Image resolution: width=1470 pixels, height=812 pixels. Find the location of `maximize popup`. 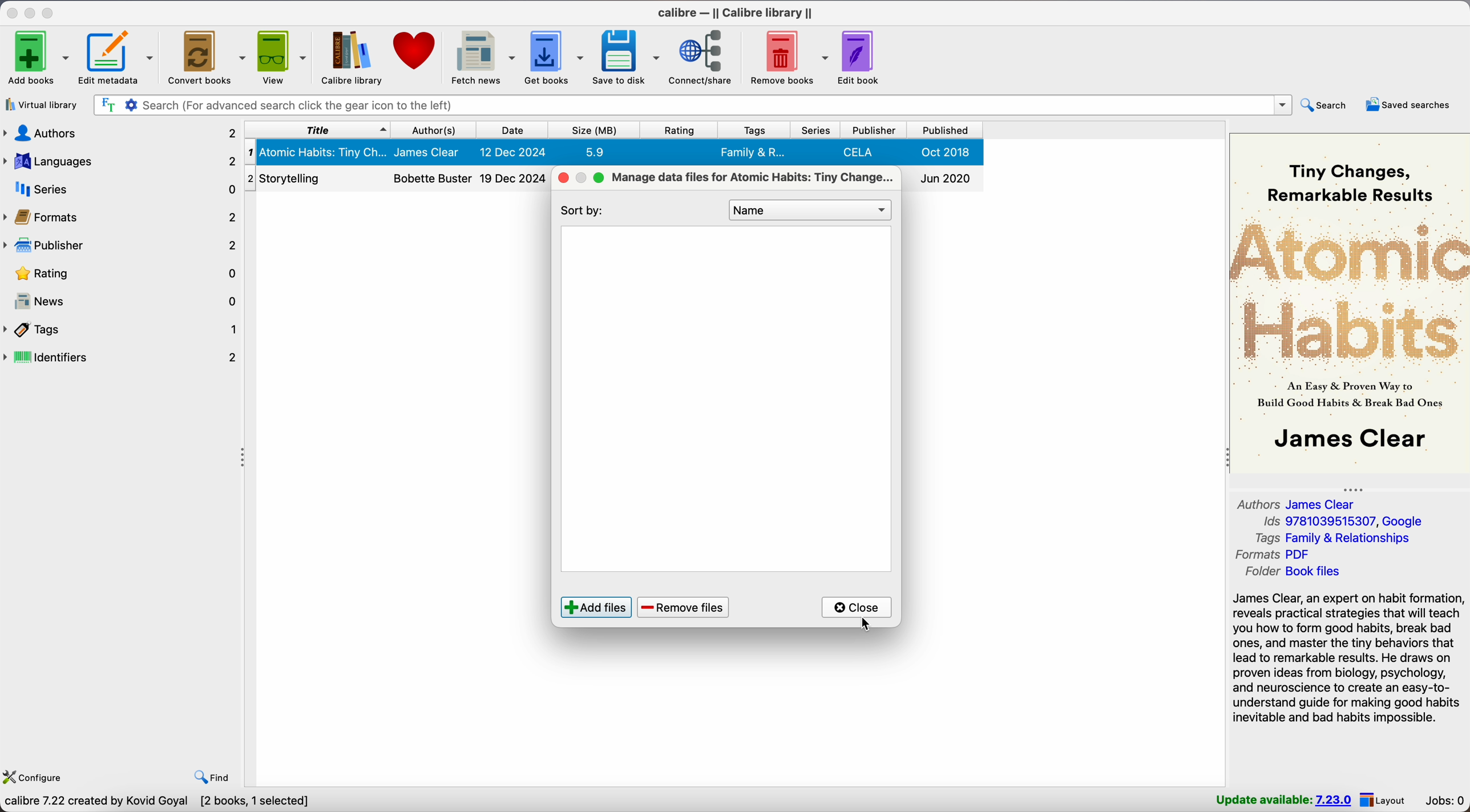

maximize popup is located at coordinates (600, 177).